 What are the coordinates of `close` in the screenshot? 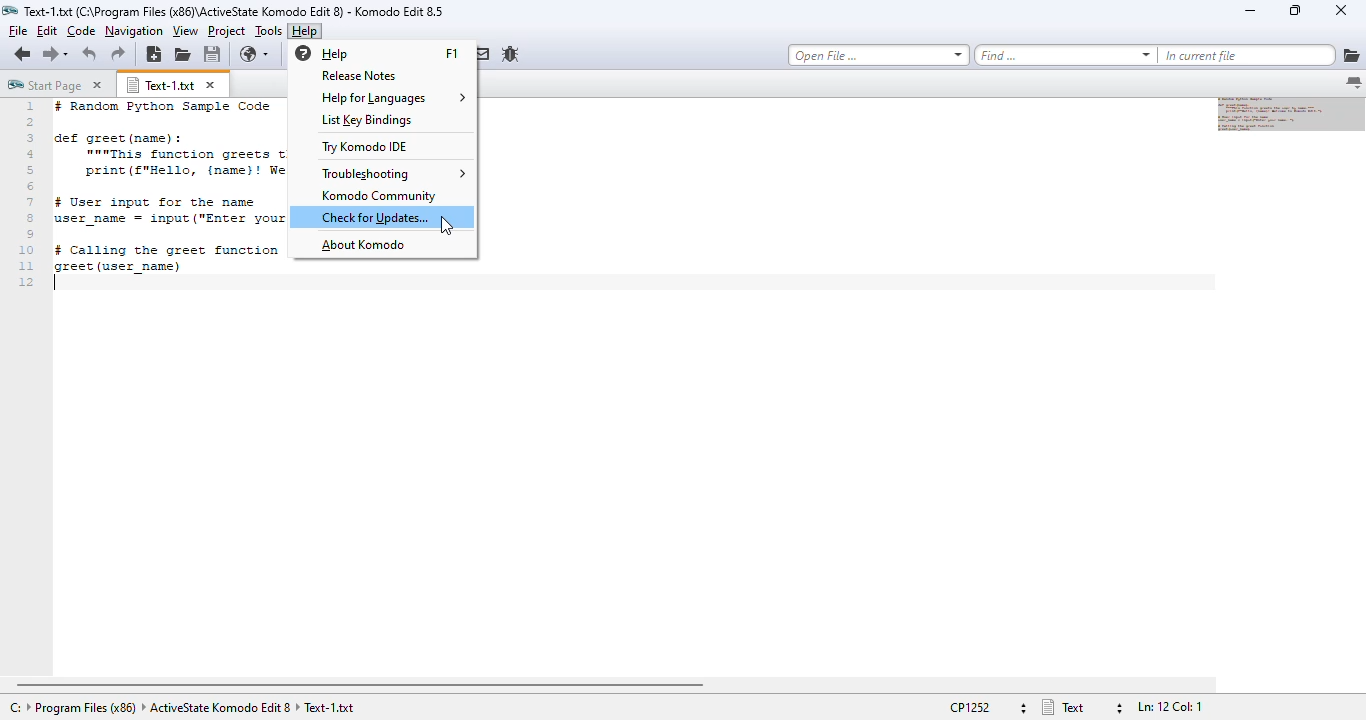 It's located at (1341, 10).